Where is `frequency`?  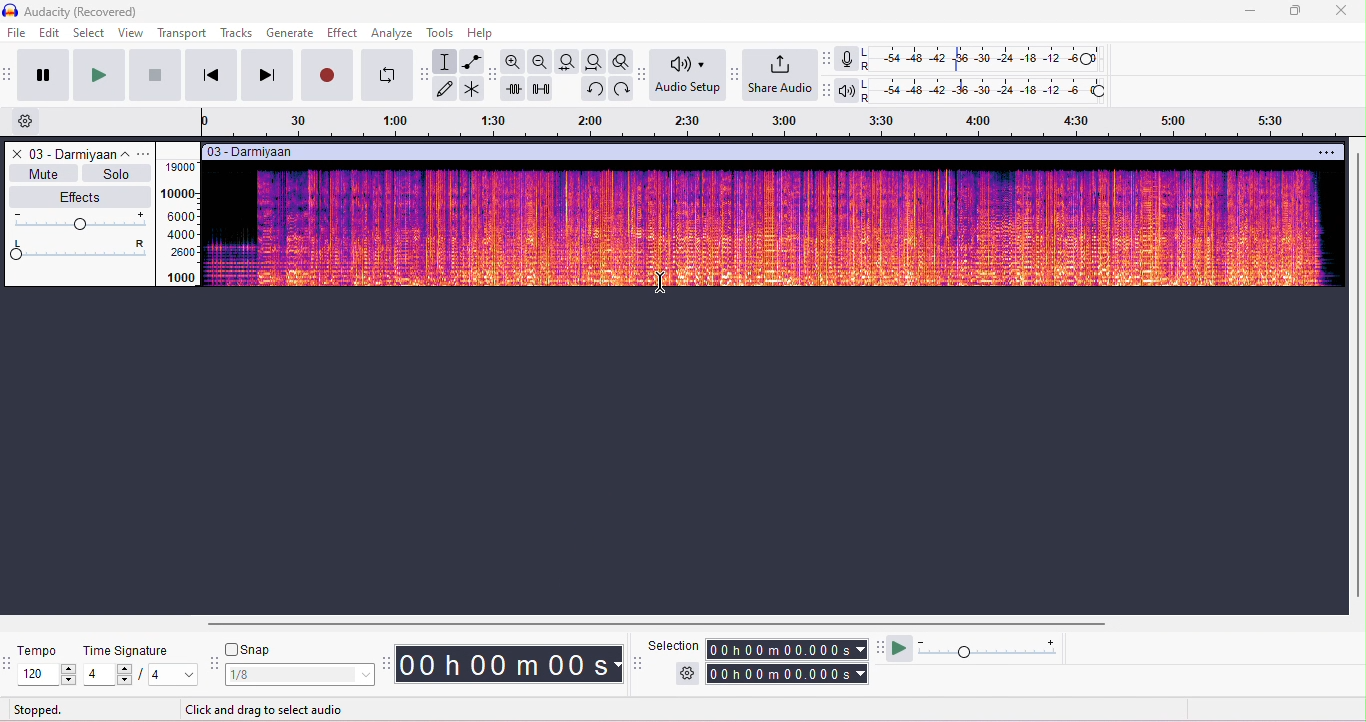 frequency is located at coordinates (179, 222).